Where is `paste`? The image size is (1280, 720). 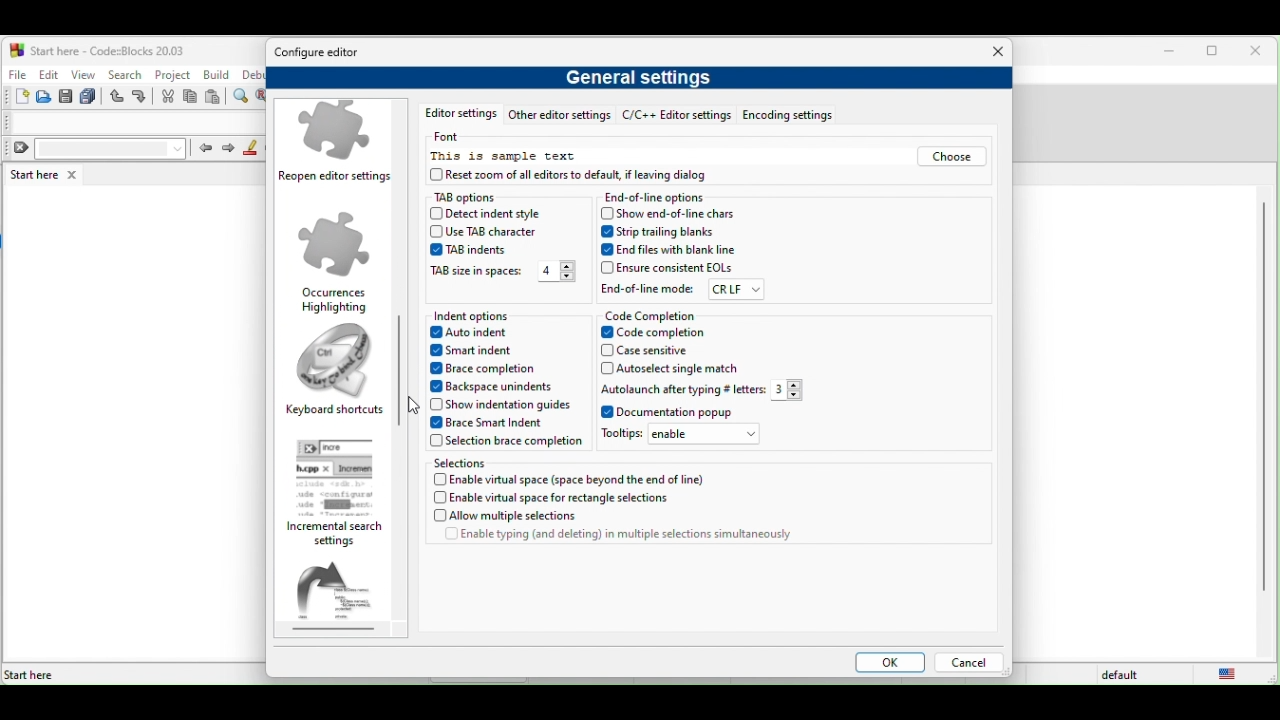 paste is located at coordinates (214, 98).